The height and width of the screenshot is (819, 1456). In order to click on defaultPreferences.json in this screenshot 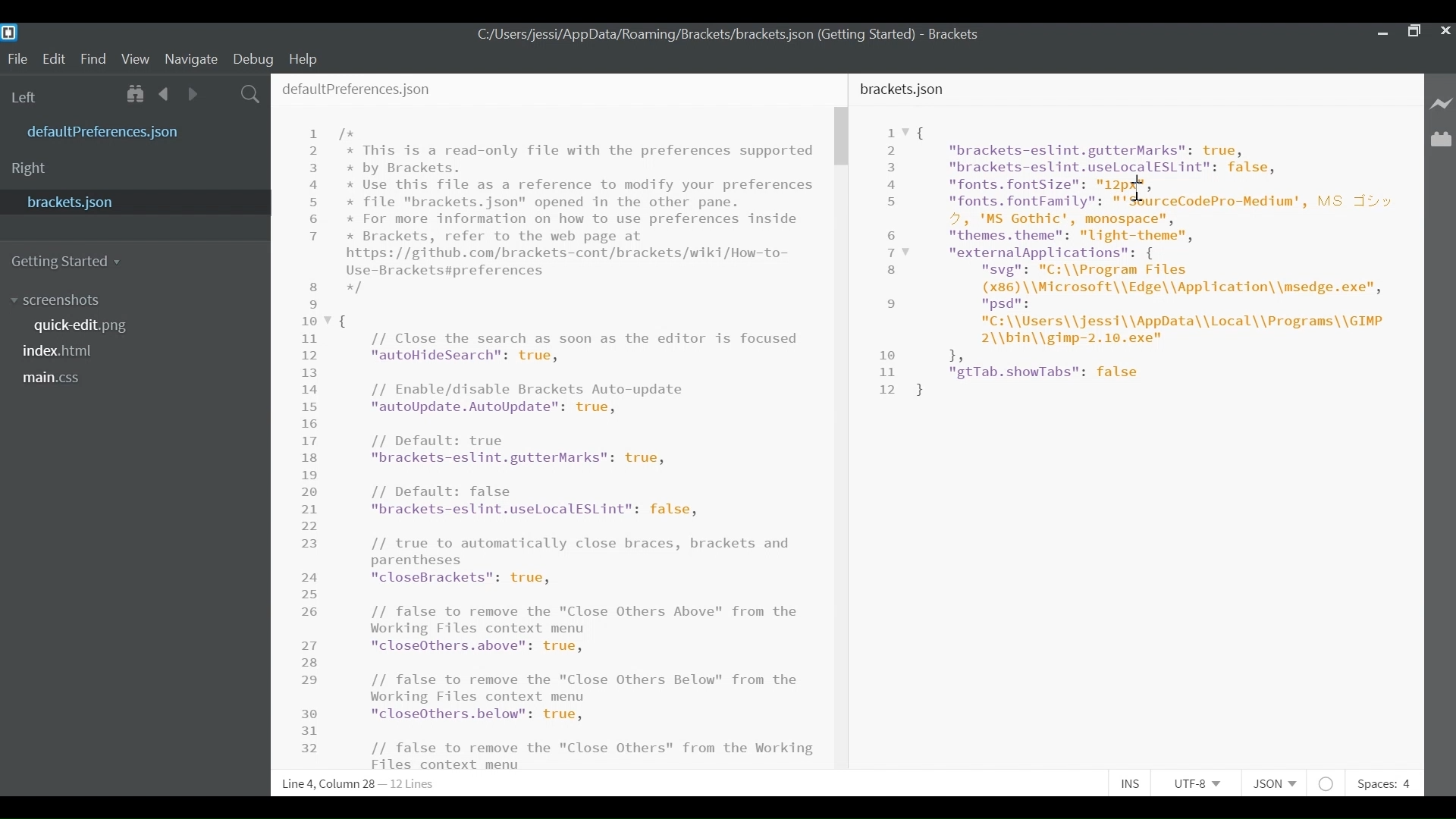, I will do `click(358, 89)`.